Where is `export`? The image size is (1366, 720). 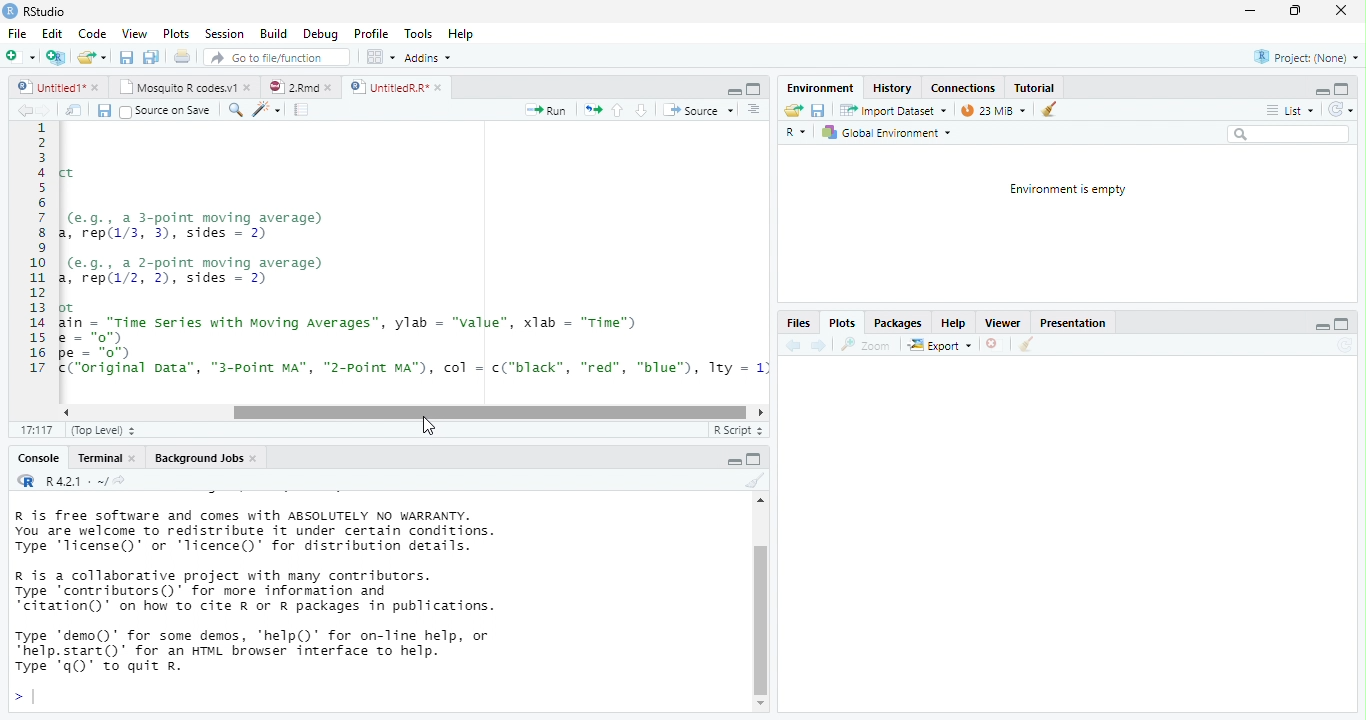 export is located at coordinates (939, 346).